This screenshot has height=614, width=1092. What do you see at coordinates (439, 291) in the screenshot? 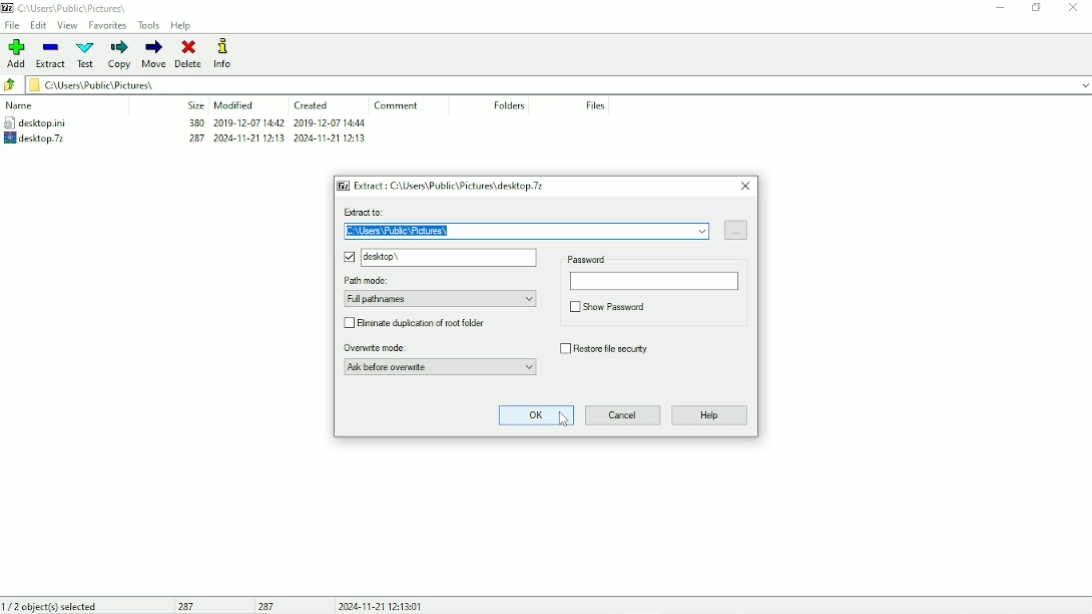
I see `Path mode` at bounding box center [439, 291].